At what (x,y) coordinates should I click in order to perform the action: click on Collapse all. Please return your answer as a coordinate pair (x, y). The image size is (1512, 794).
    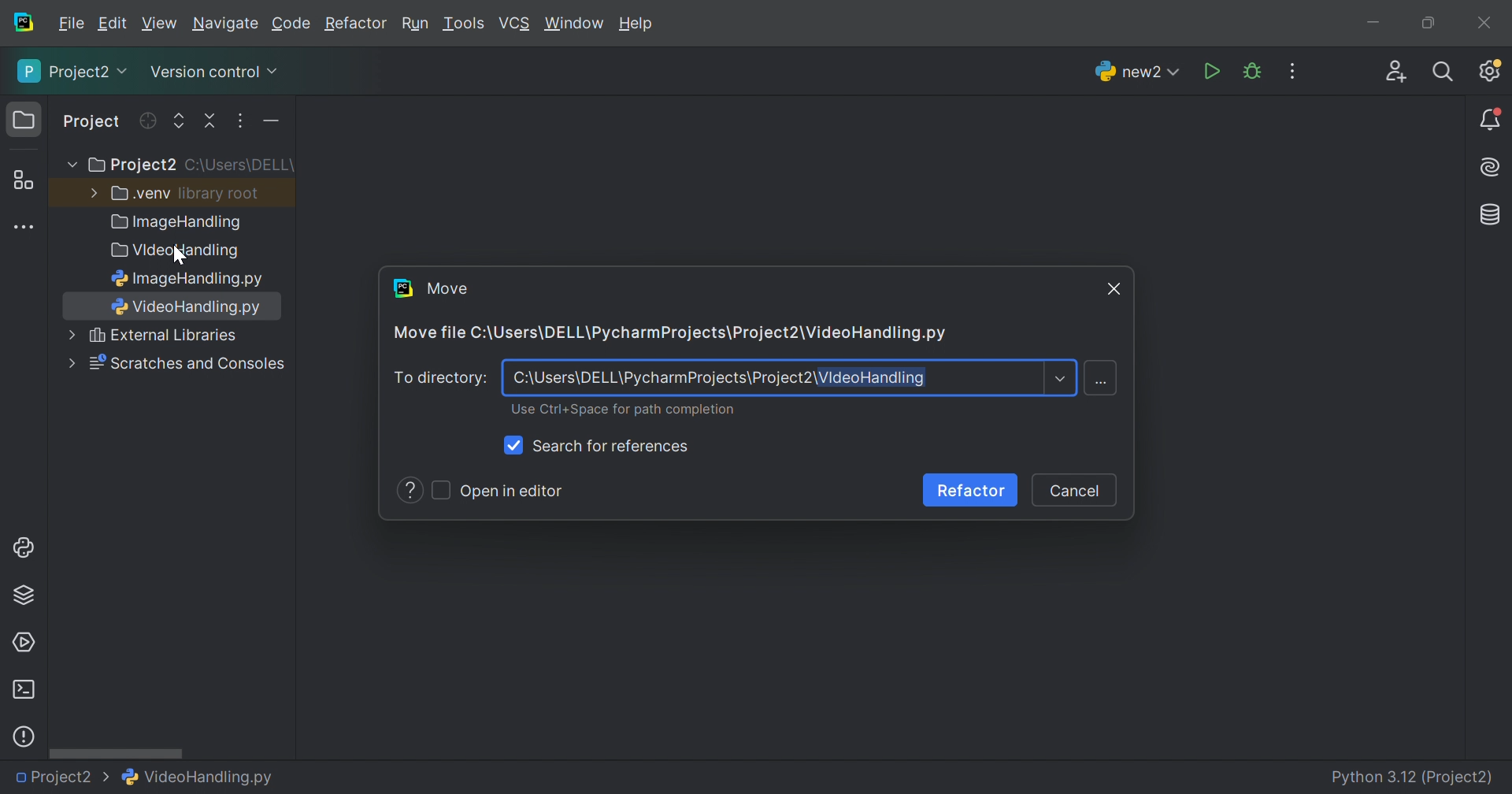
    Looking at the image, I should click on (212, 121).